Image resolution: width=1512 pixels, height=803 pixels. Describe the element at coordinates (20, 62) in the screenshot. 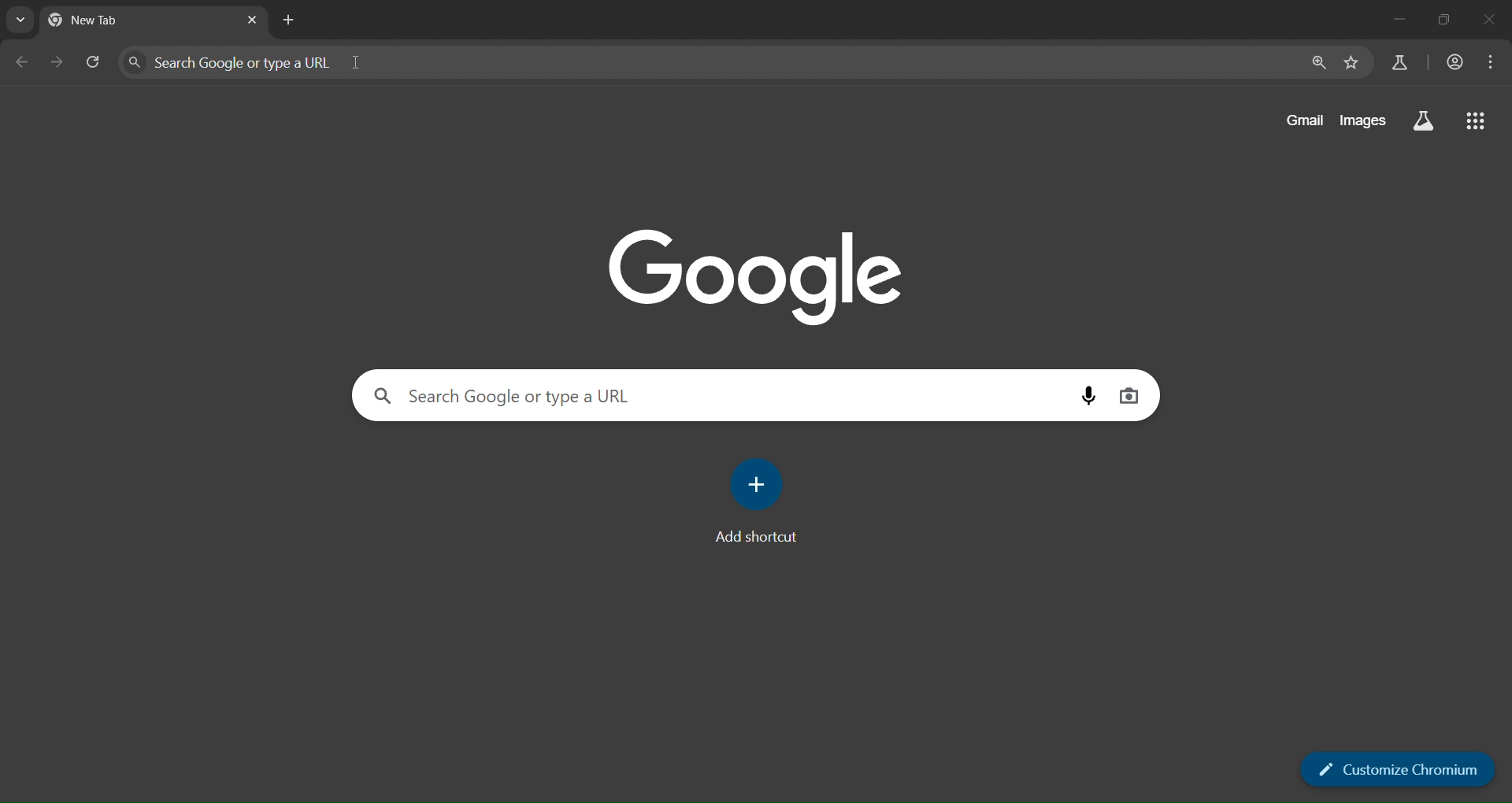

I see `go back one page` at that location.